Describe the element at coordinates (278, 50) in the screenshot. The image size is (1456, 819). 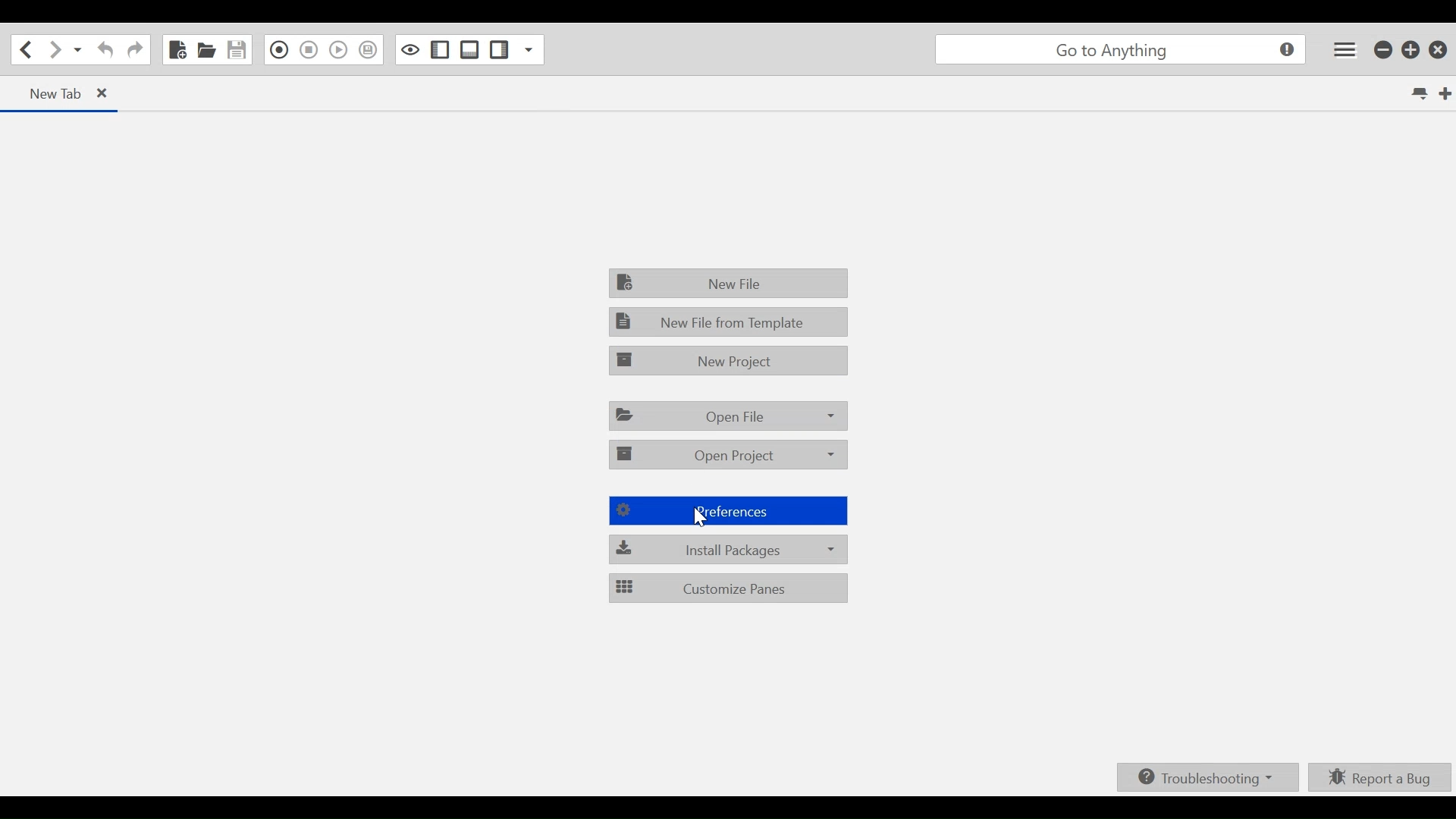
I see `Recording in Macro` at that location.